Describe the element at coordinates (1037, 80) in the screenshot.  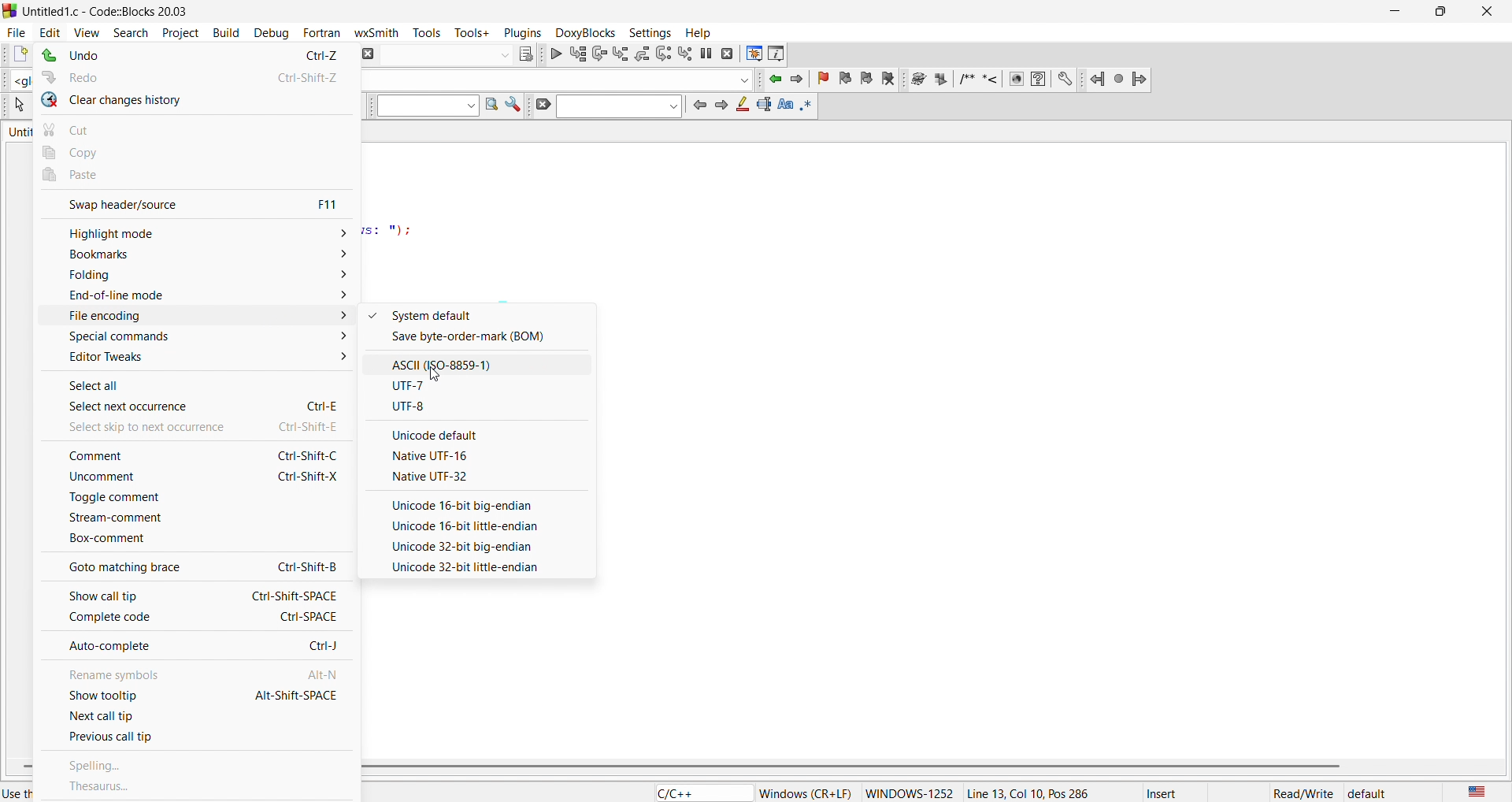
I see `help` at that location.